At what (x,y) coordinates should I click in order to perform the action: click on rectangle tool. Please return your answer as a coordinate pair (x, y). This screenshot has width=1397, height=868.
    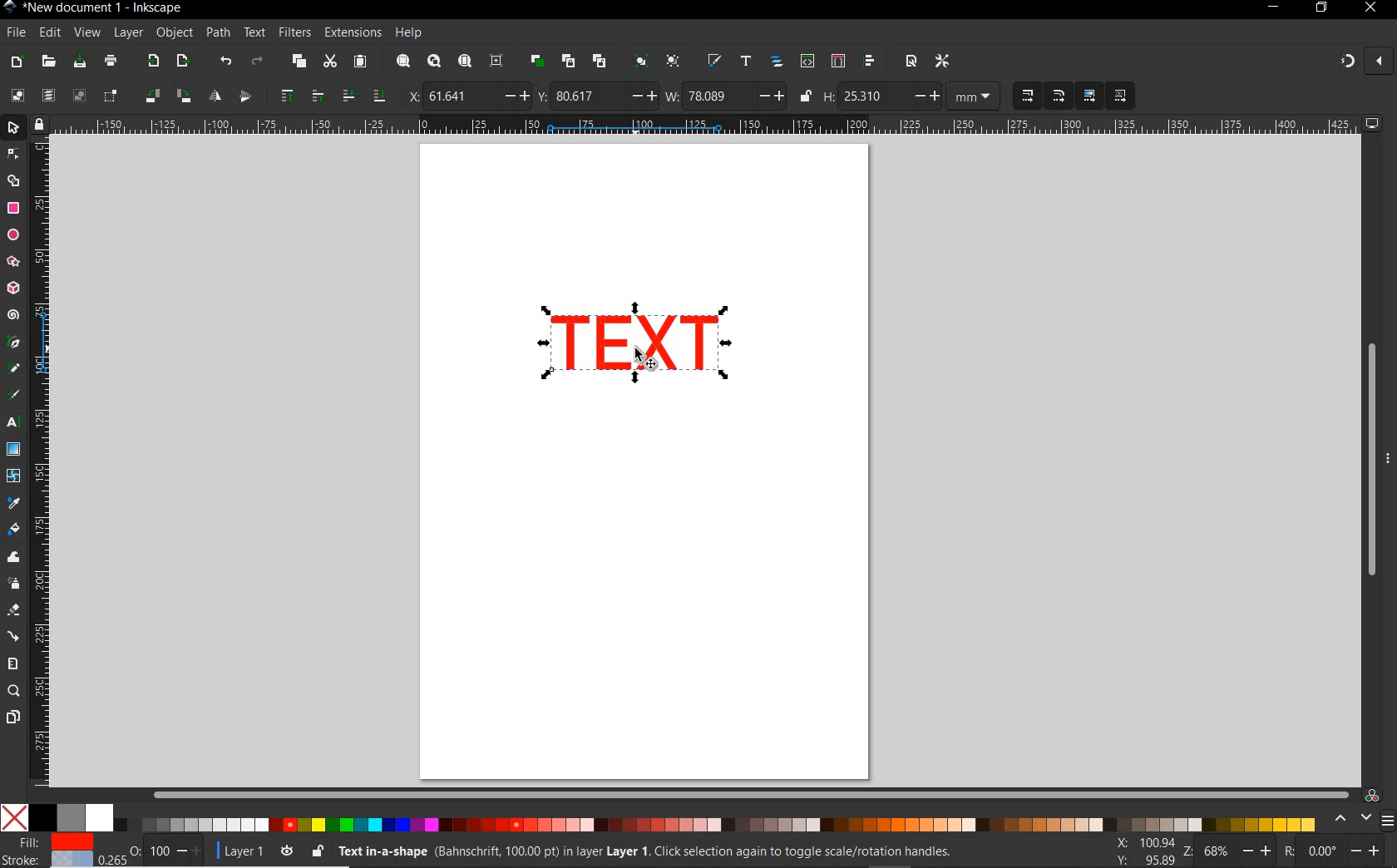
    Looking at the image, I should click on (13, 208).